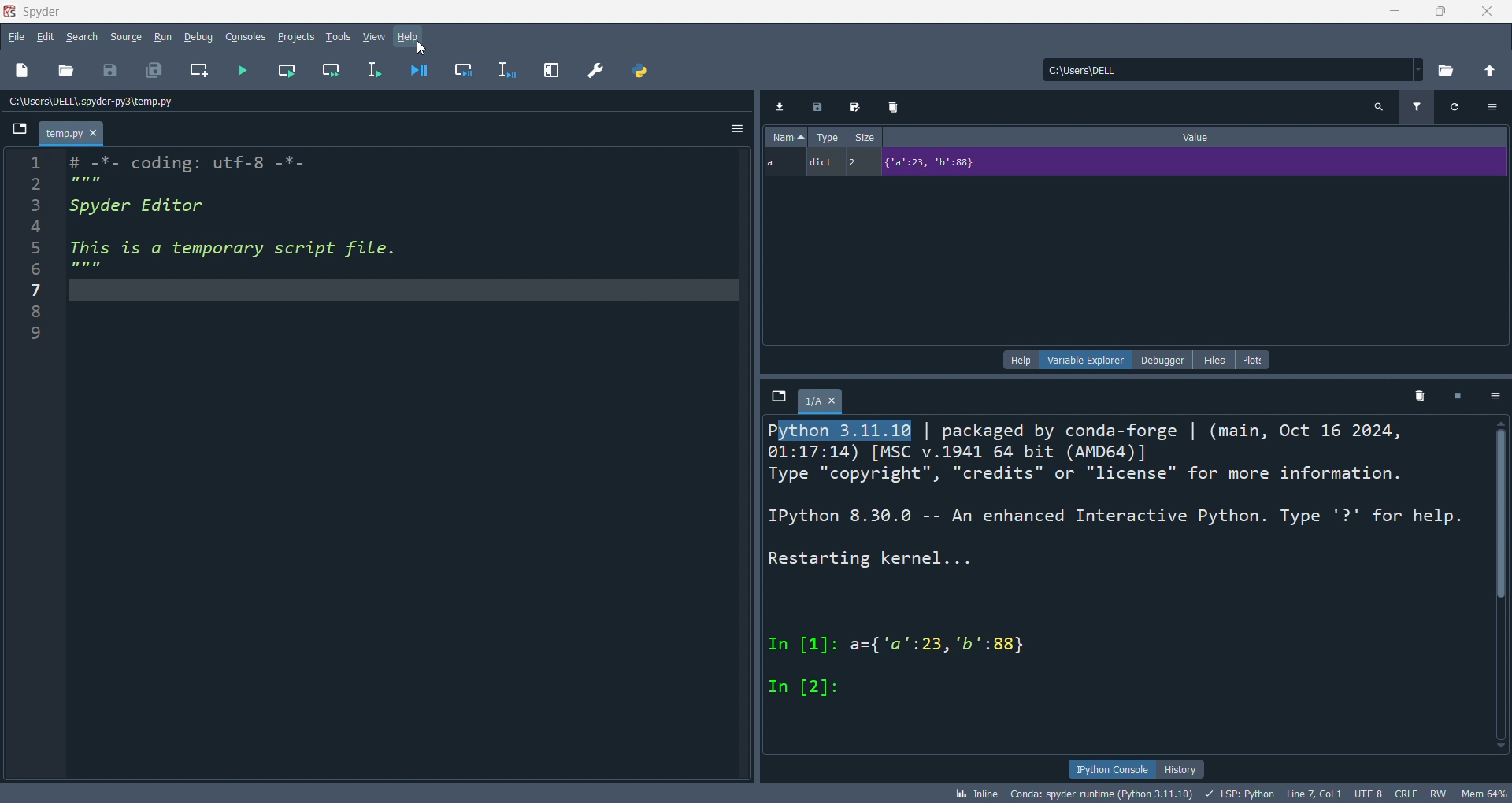  I want to click on Square, so click(1458, 395).